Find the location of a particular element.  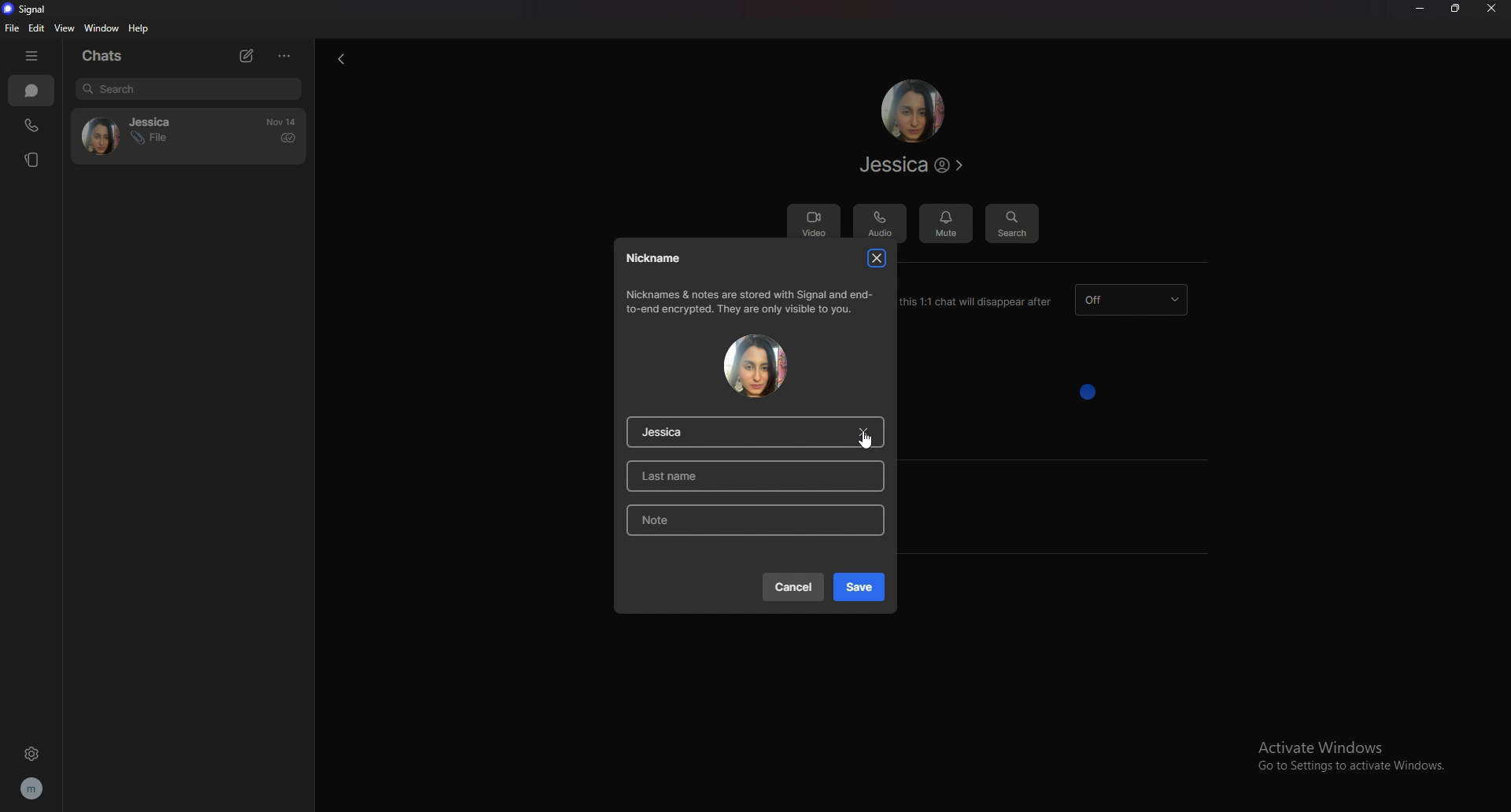

chats is located at coordinates (106, 57).